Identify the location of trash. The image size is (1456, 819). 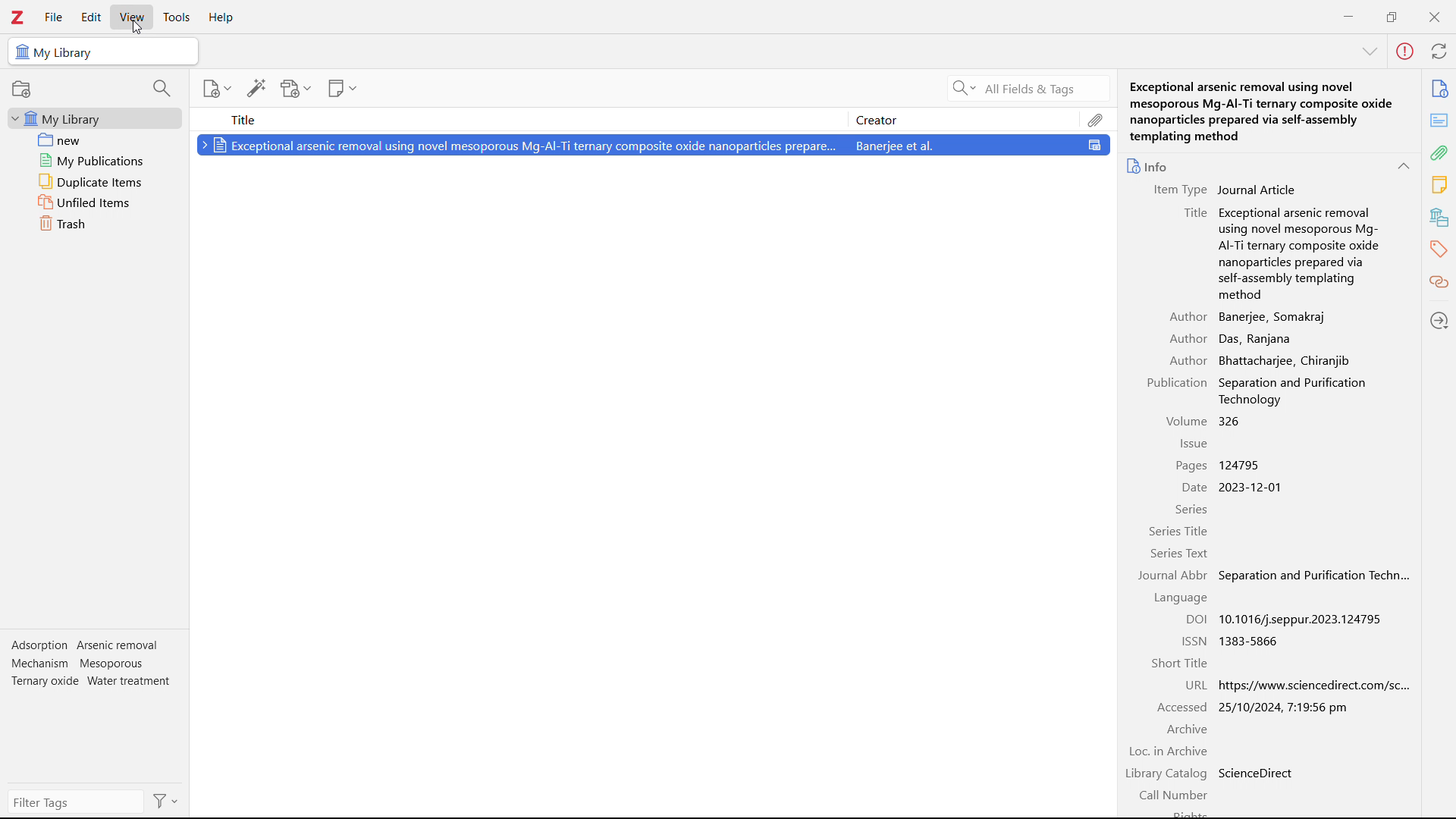
(93, 224).